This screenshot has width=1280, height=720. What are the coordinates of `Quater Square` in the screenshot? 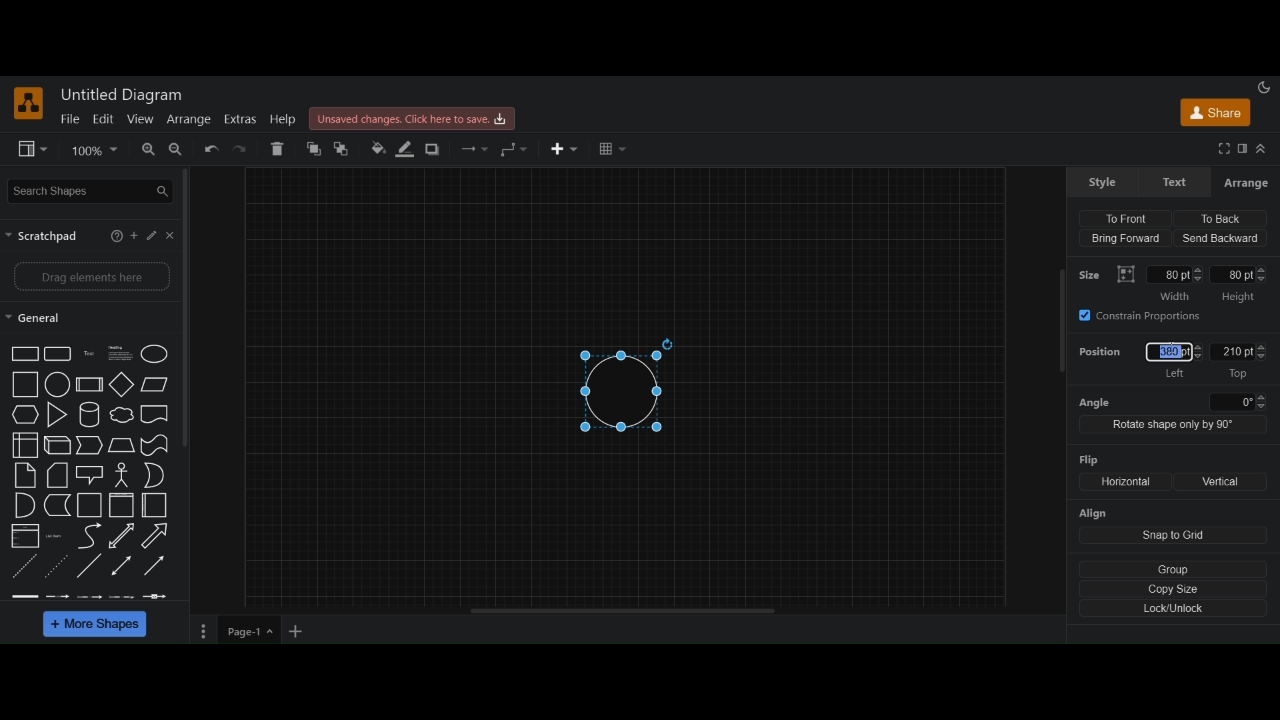 It's located at (155, 505).